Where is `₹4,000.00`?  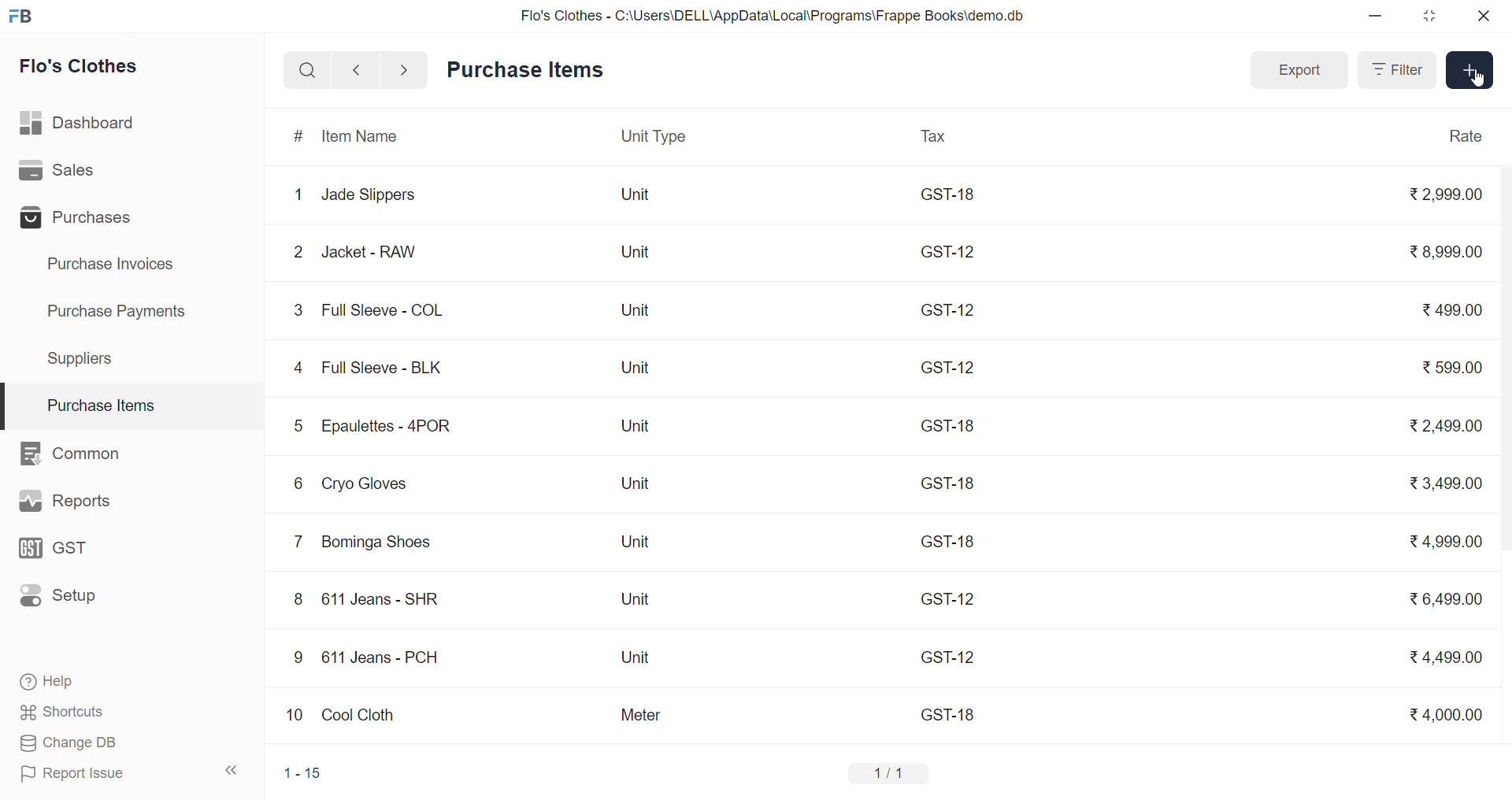
₹4,000.00 is located at coordinates (1447, 714).